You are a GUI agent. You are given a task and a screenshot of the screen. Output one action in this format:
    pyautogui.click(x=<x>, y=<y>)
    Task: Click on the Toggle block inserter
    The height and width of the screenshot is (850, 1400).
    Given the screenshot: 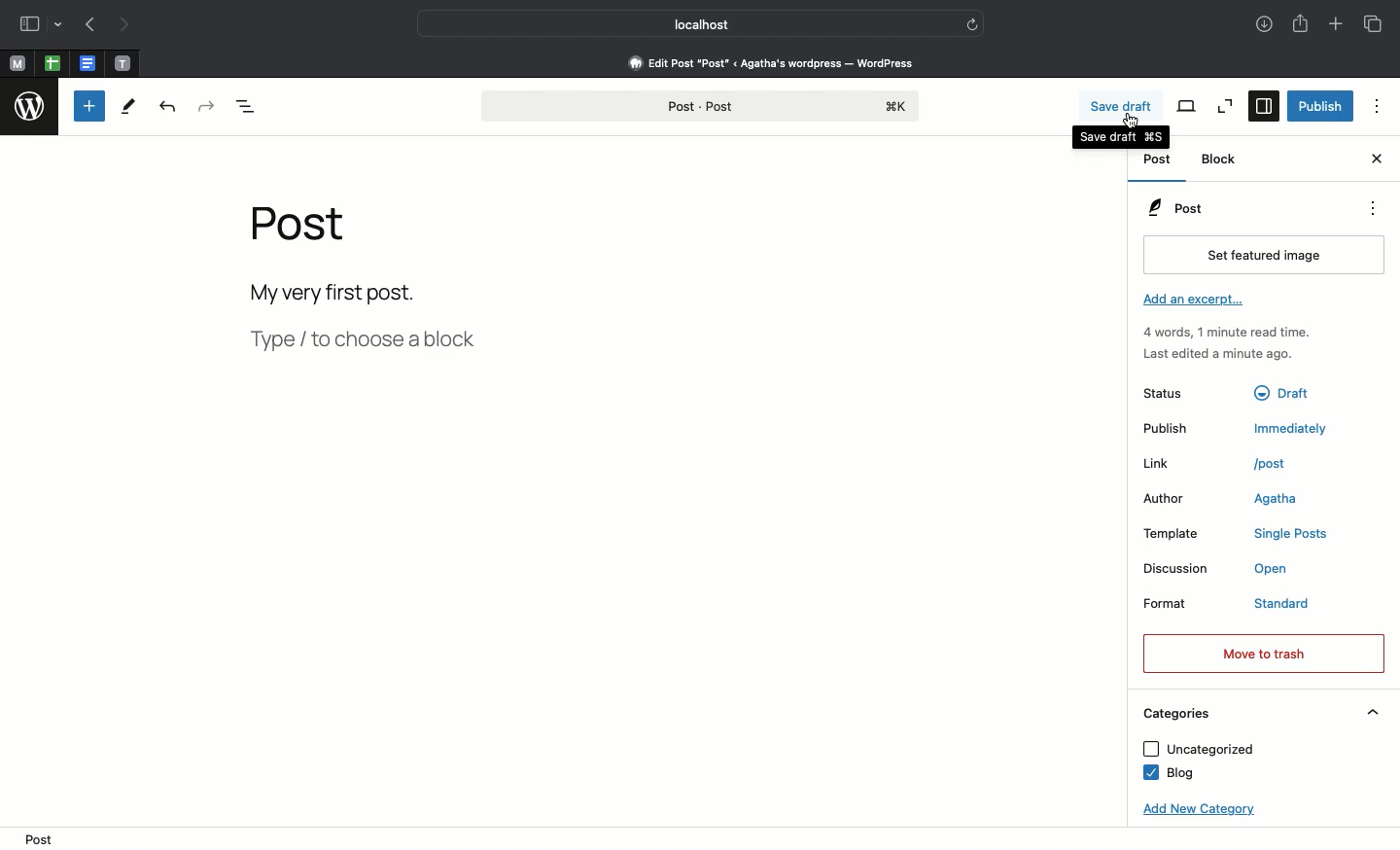 What is the action you would take?
    pyautogui.click(x=89, y=106)
    